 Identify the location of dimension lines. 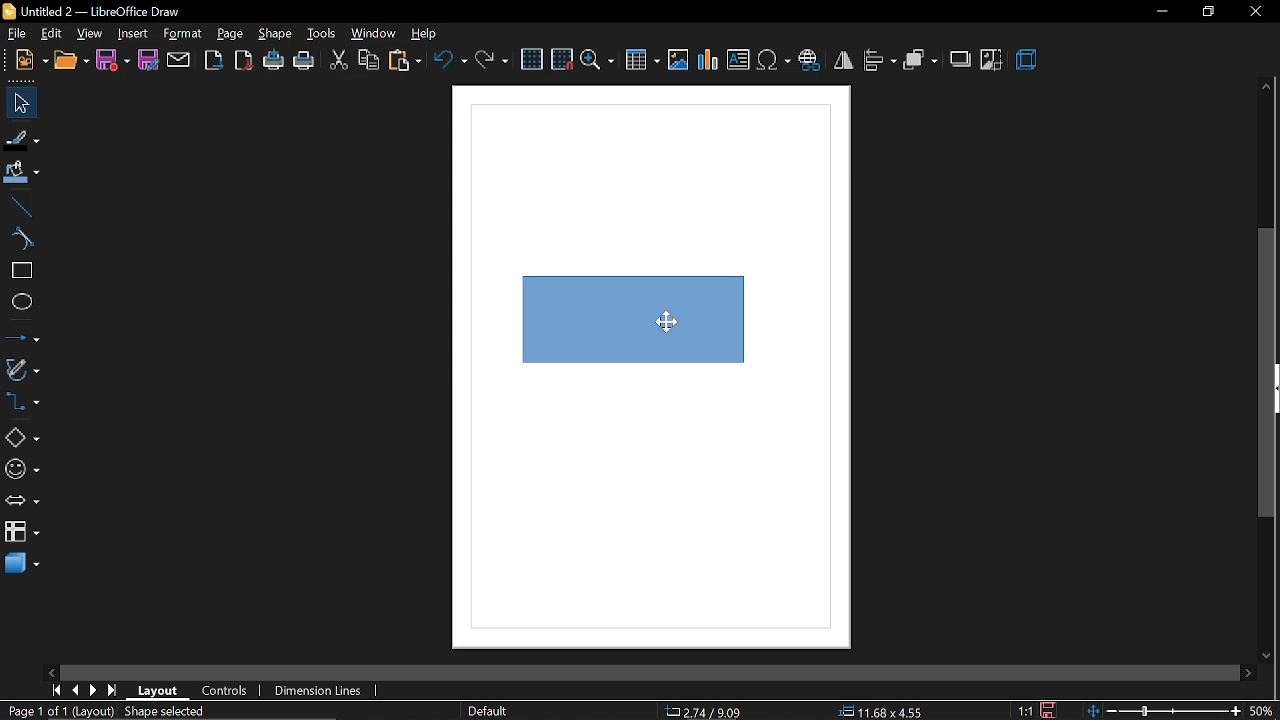
(323, 689).